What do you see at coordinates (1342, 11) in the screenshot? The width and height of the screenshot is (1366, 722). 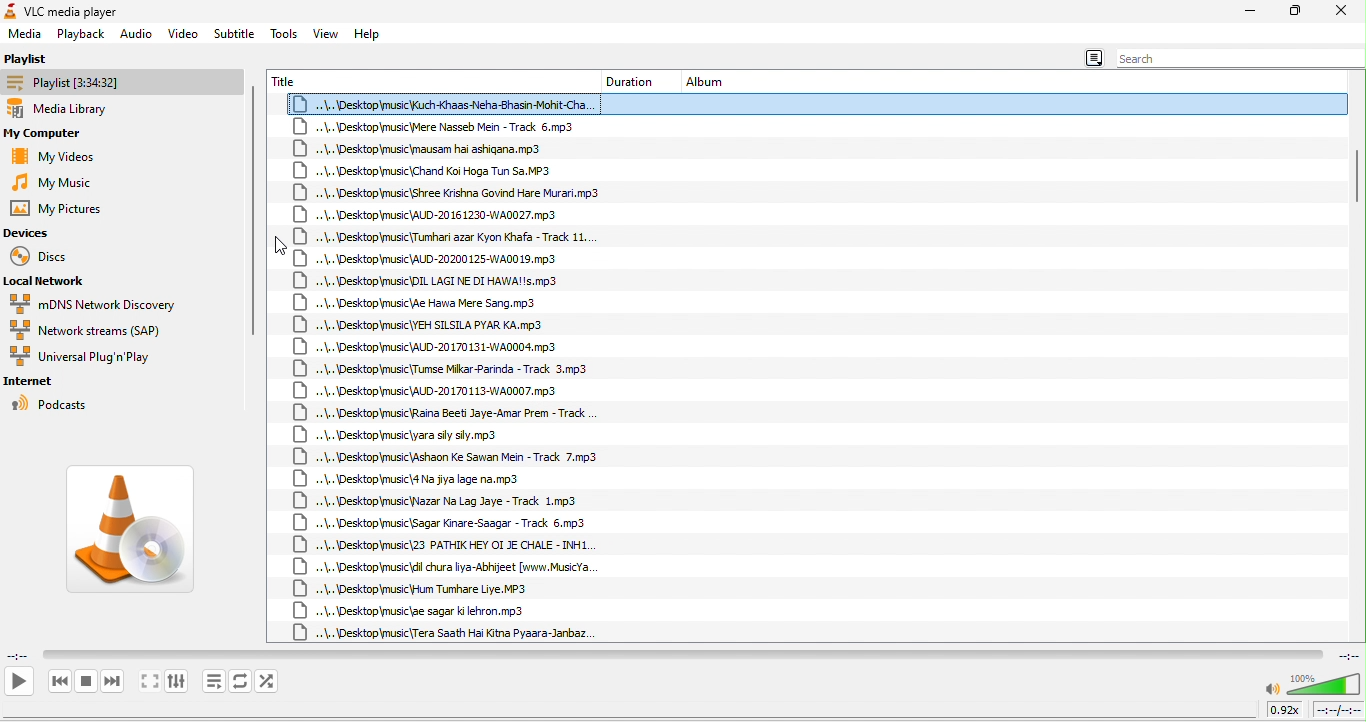 I see `close` at bounding box center [1342, 11].